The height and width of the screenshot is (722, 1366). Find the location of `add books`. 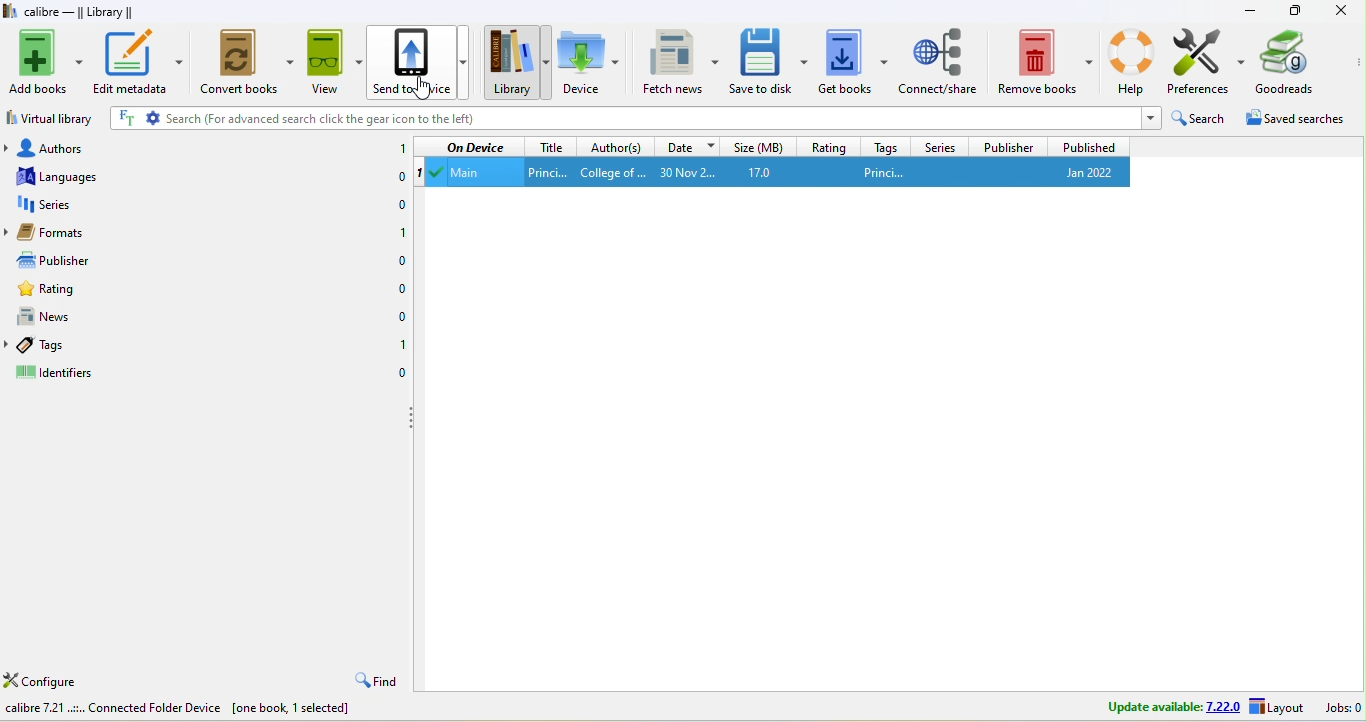

add books is located at coordinates (48, 61).